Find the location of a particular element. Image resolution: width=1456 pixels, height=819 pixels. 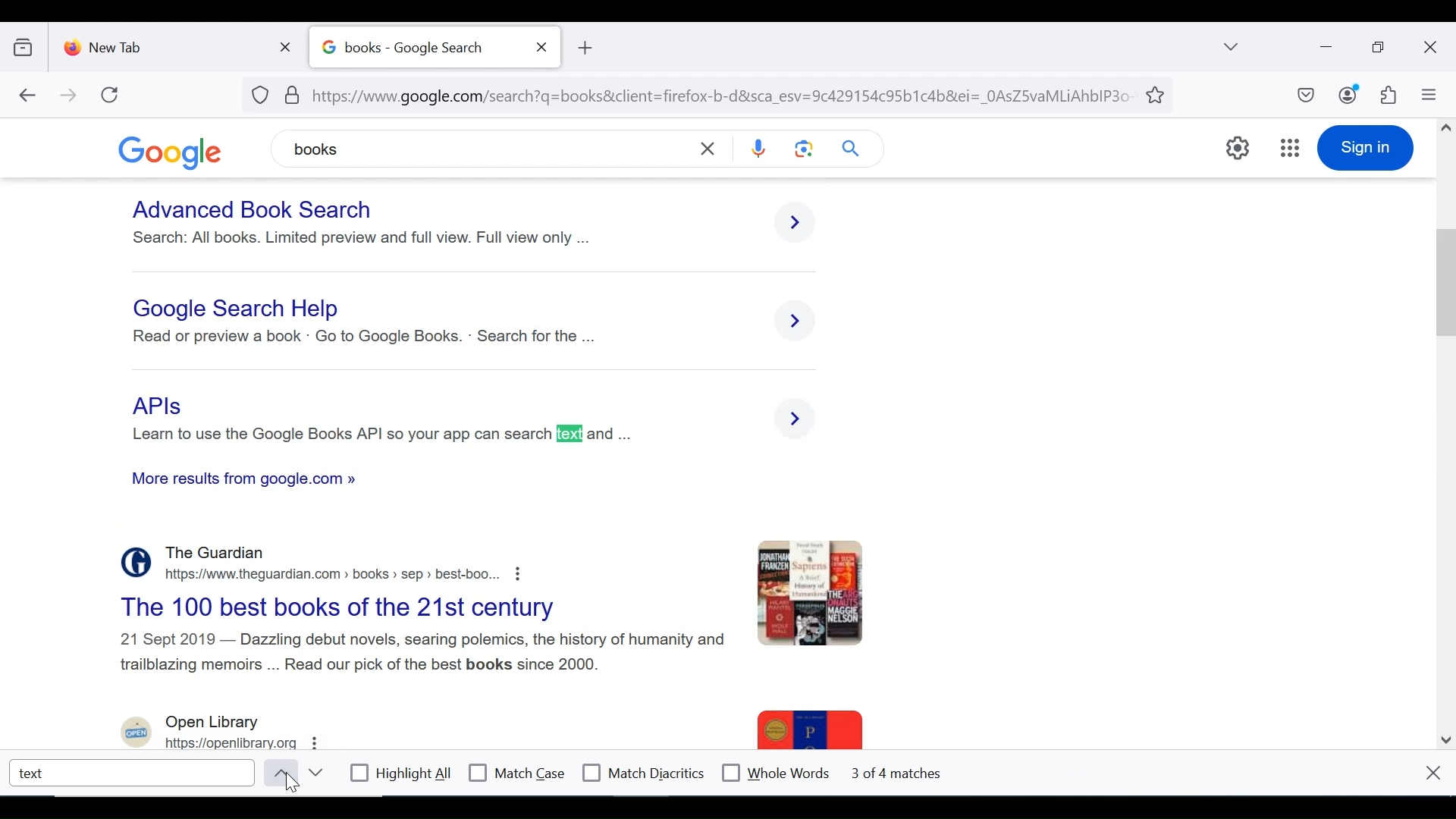

logo is located at coordinates (132, 562).